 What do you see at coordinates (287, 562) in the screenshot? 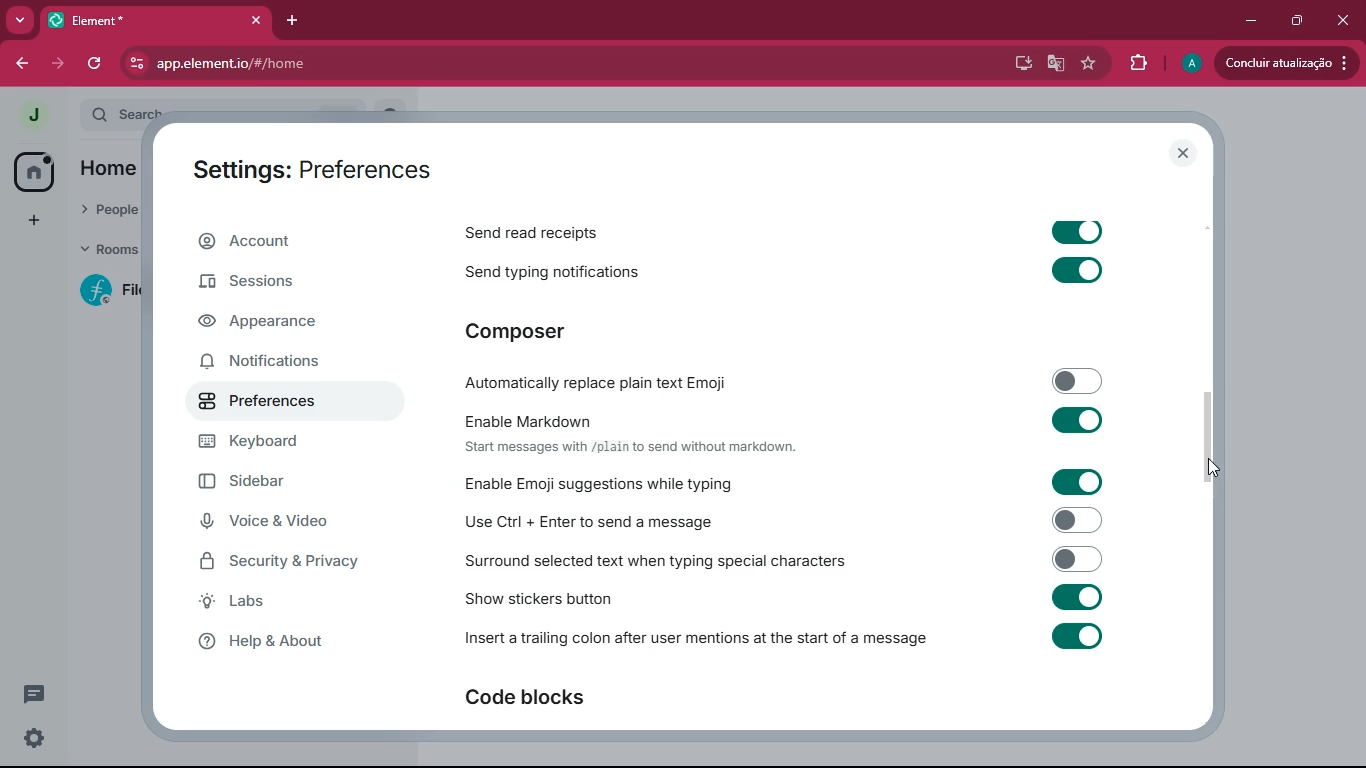
I see `security & privacy` at bounding box center [287, 562].